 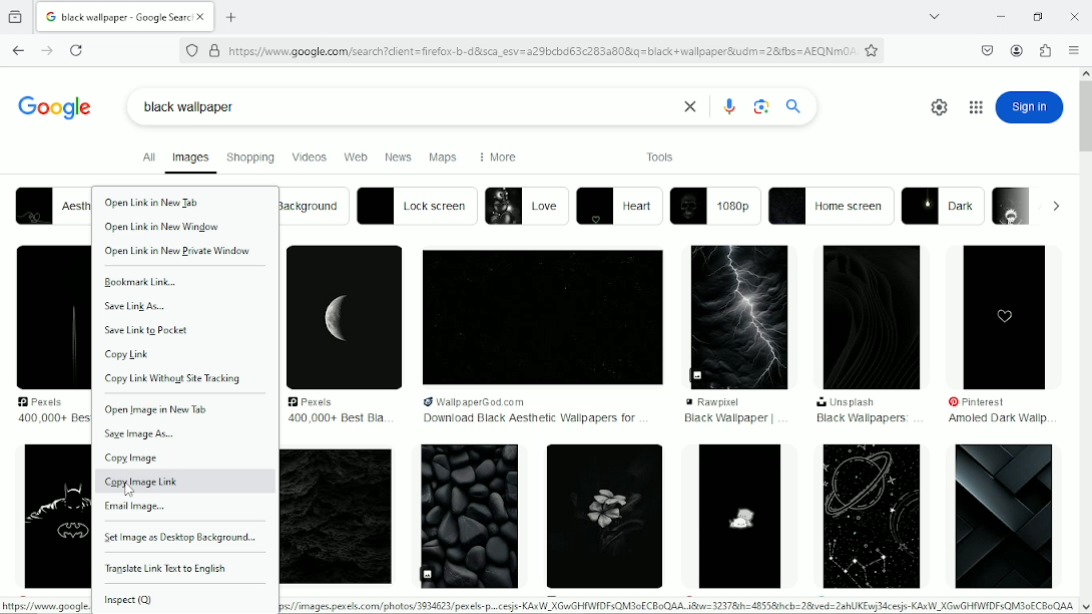 I want to click on search by image, so click(x=762, y=107).